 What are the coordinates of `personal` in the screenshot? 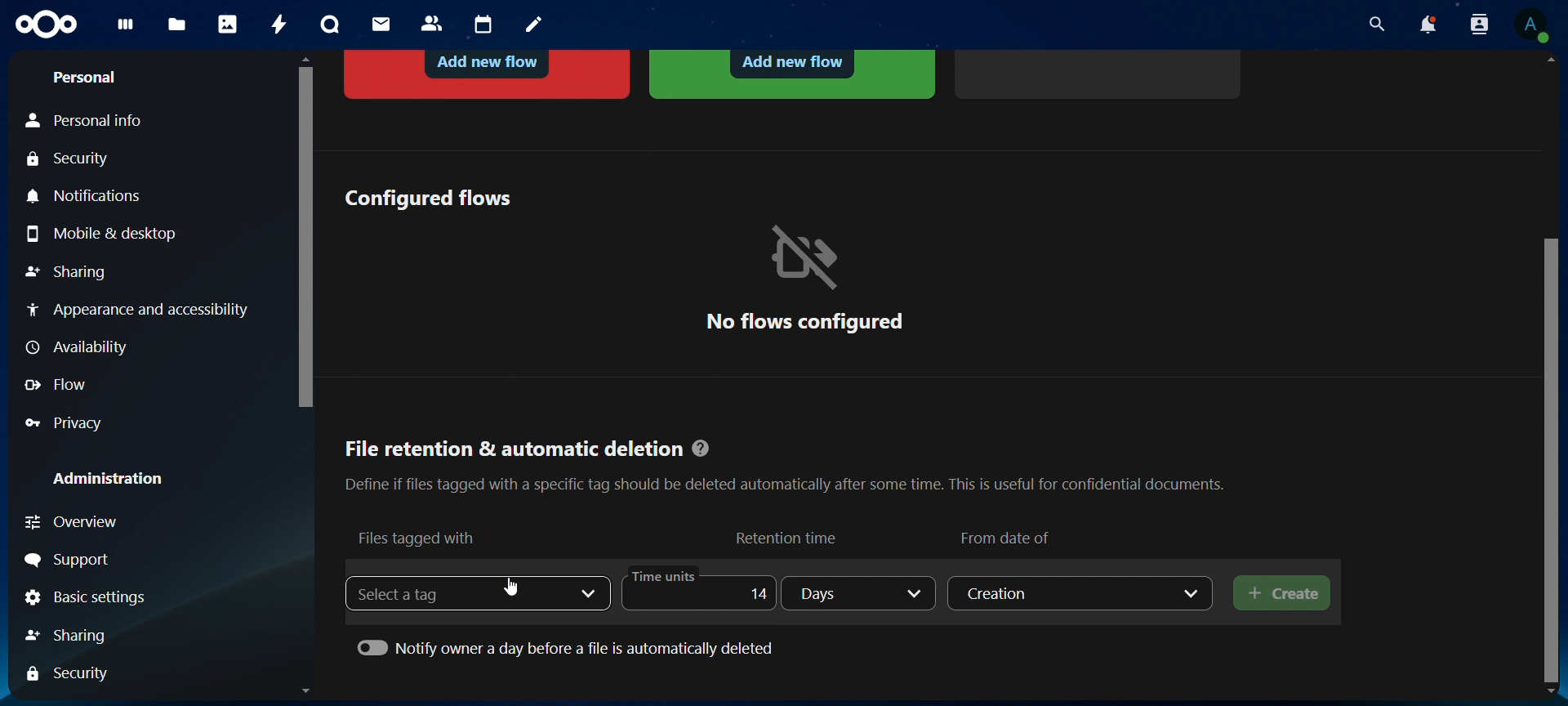 It's located at (83, 78).